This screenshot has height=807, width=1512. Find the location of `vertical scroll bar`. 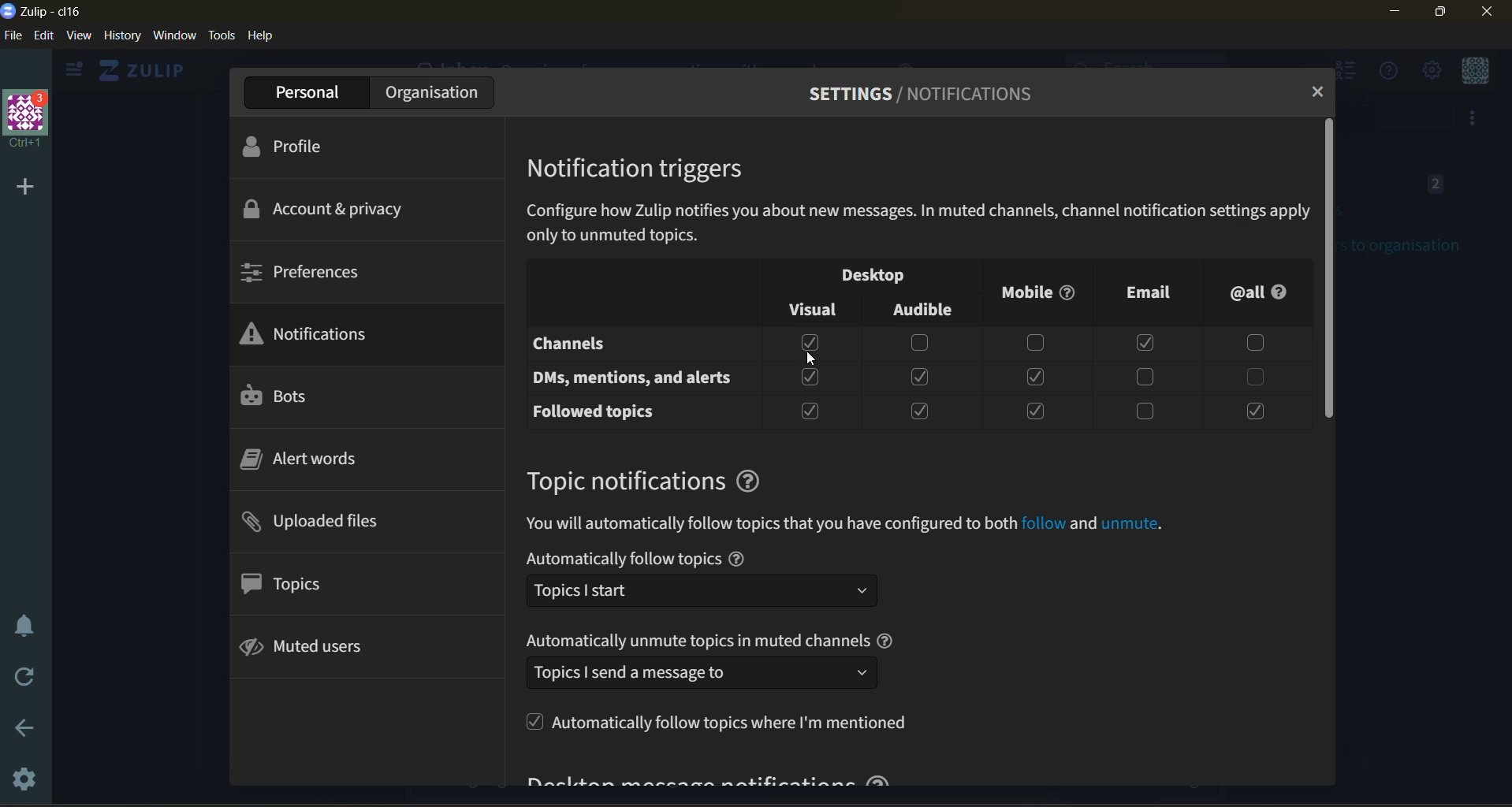

vertical scroll bar is located at coordinates (1331, 267).